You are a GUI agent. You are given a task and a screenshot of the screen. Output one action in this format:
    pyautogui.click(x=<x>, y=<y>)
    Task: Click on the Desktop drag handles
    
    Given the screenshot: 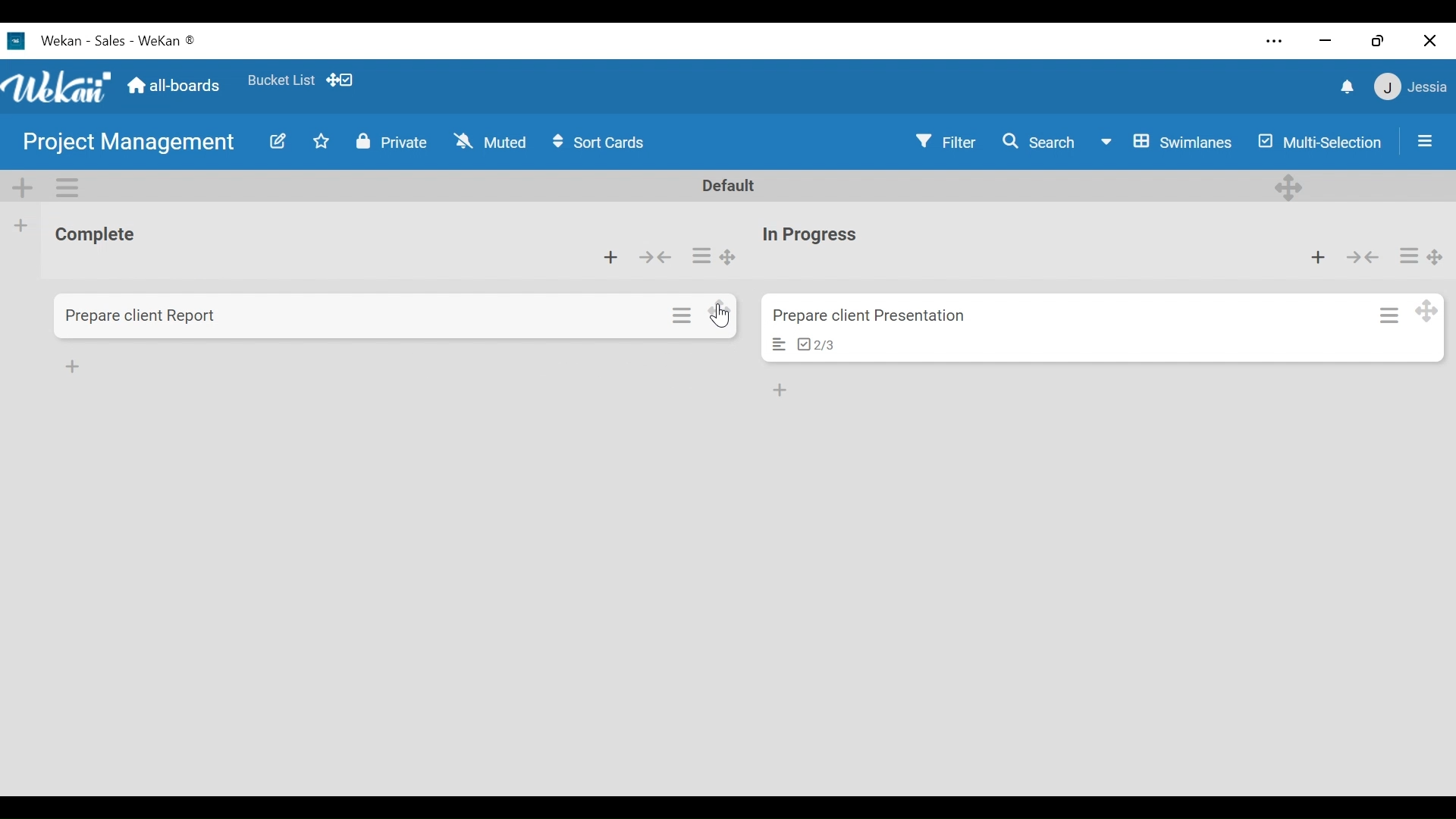 What is the action you would take?
    pyautogui.click(x=1287, y=186)
    